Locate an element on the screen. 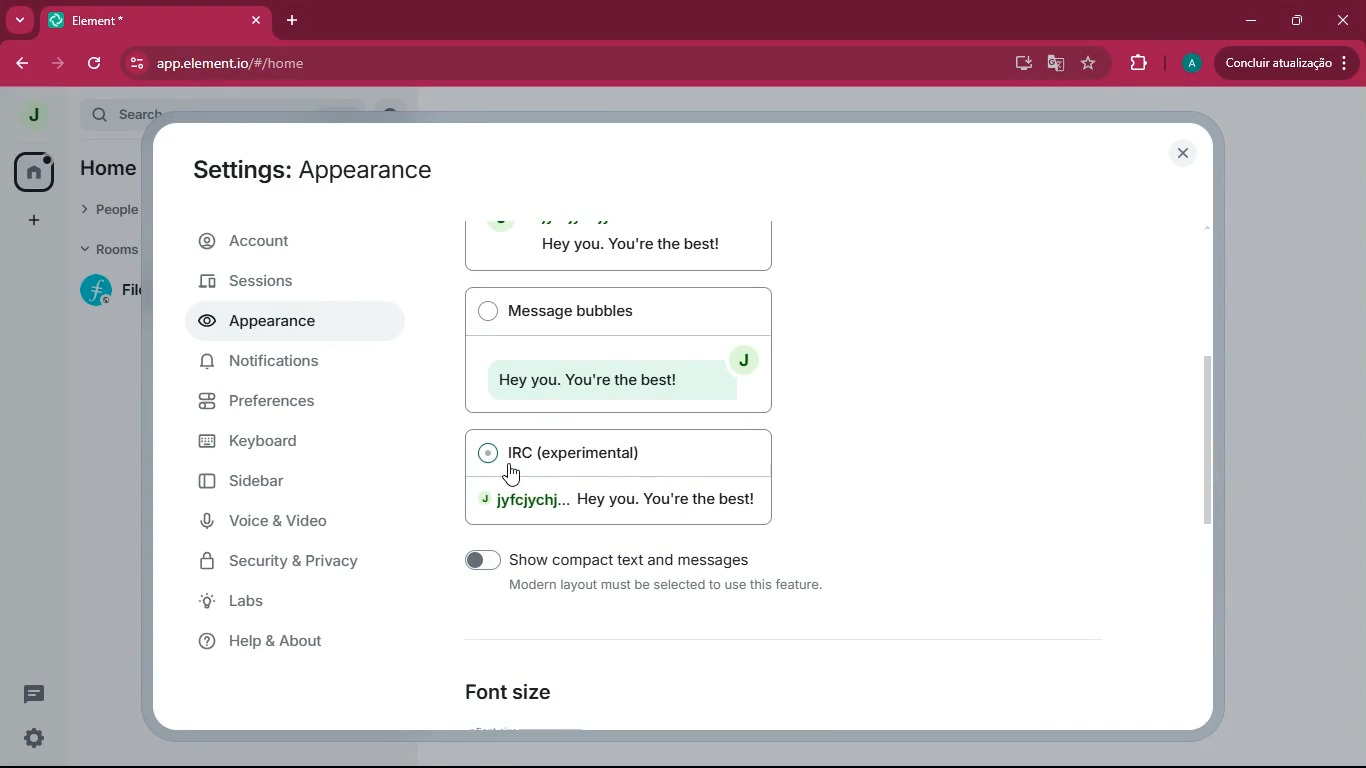  voice is located at coordinates (289, 522).